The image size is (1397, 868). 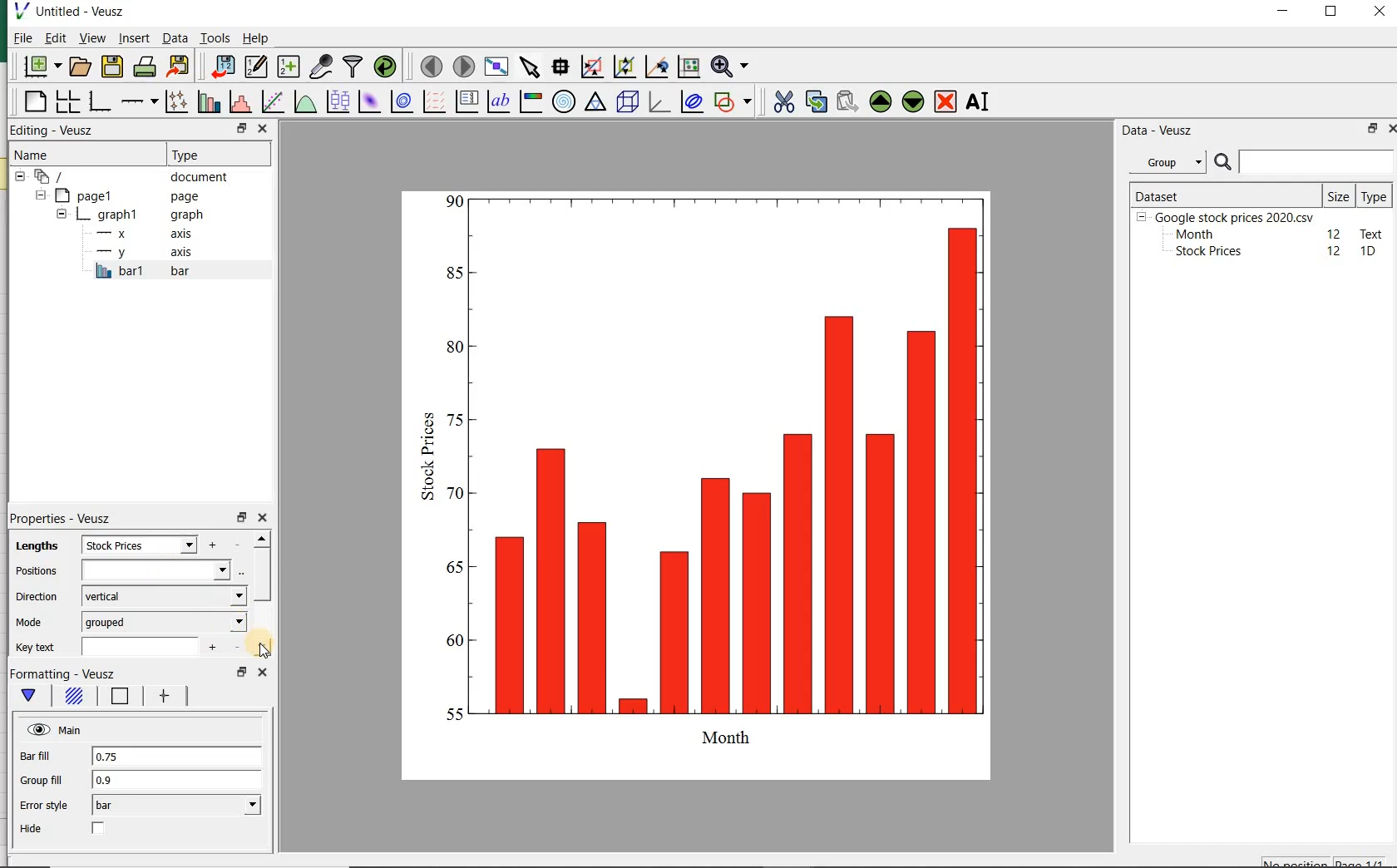 I want to click on 3d scene, so click(x=628, y=103).